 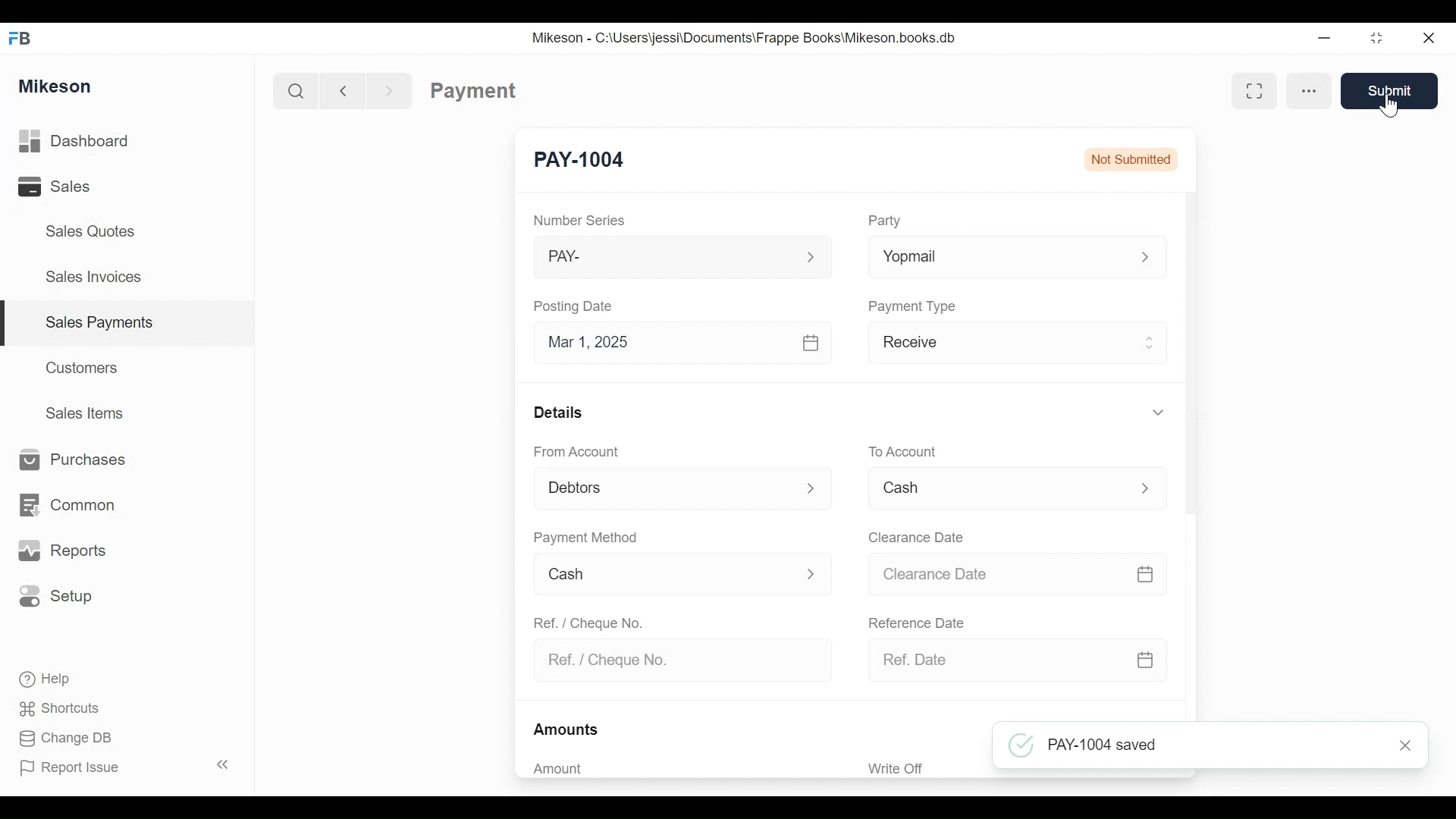 What do you see at coordinates (394, 89) in the screenshot?
I see `Forward` at bounding box center [394, 89].